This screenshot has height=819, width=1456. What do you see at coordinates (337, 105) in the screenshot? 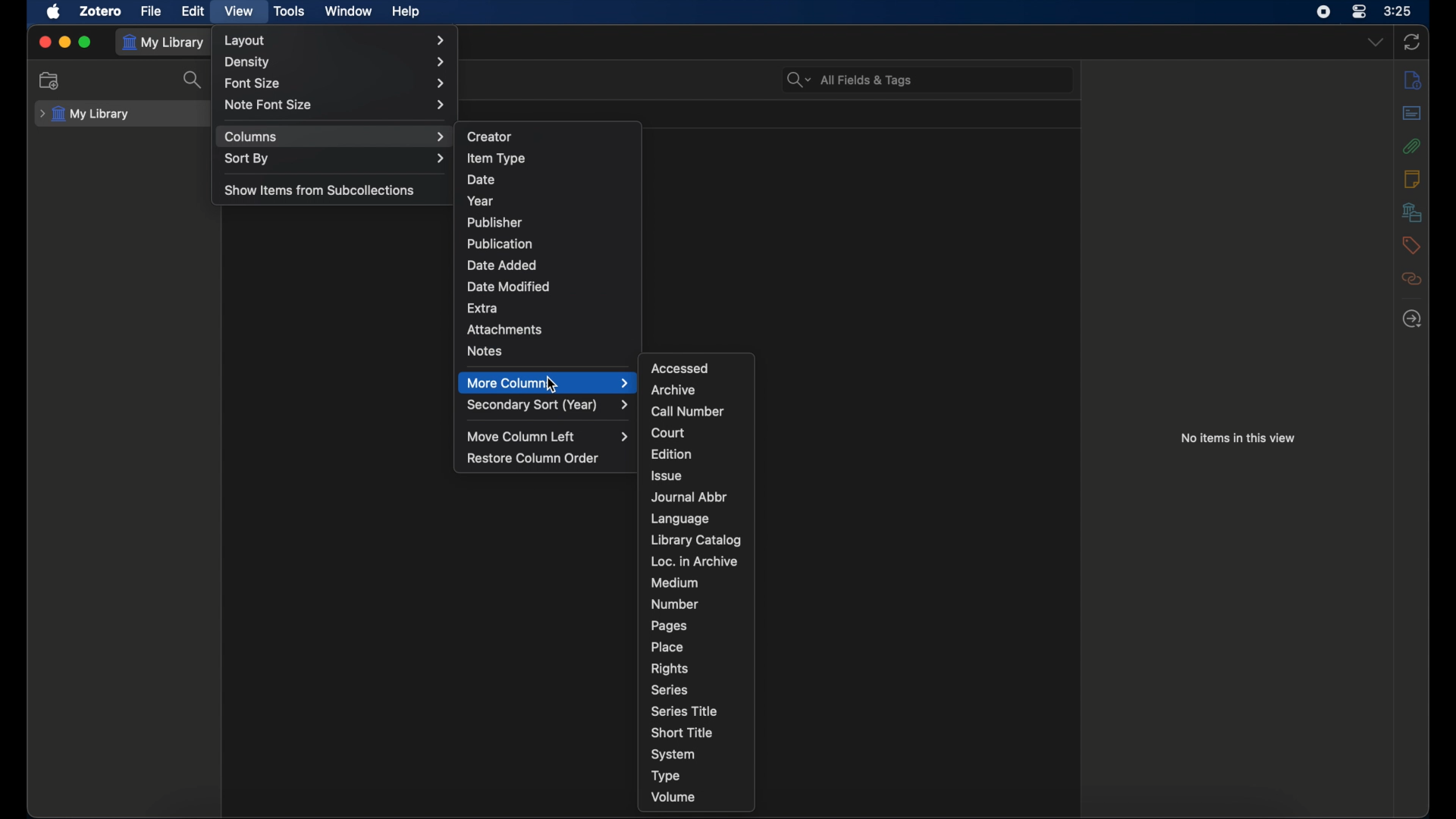
I see `note font size` at bounding box center [337, 105].